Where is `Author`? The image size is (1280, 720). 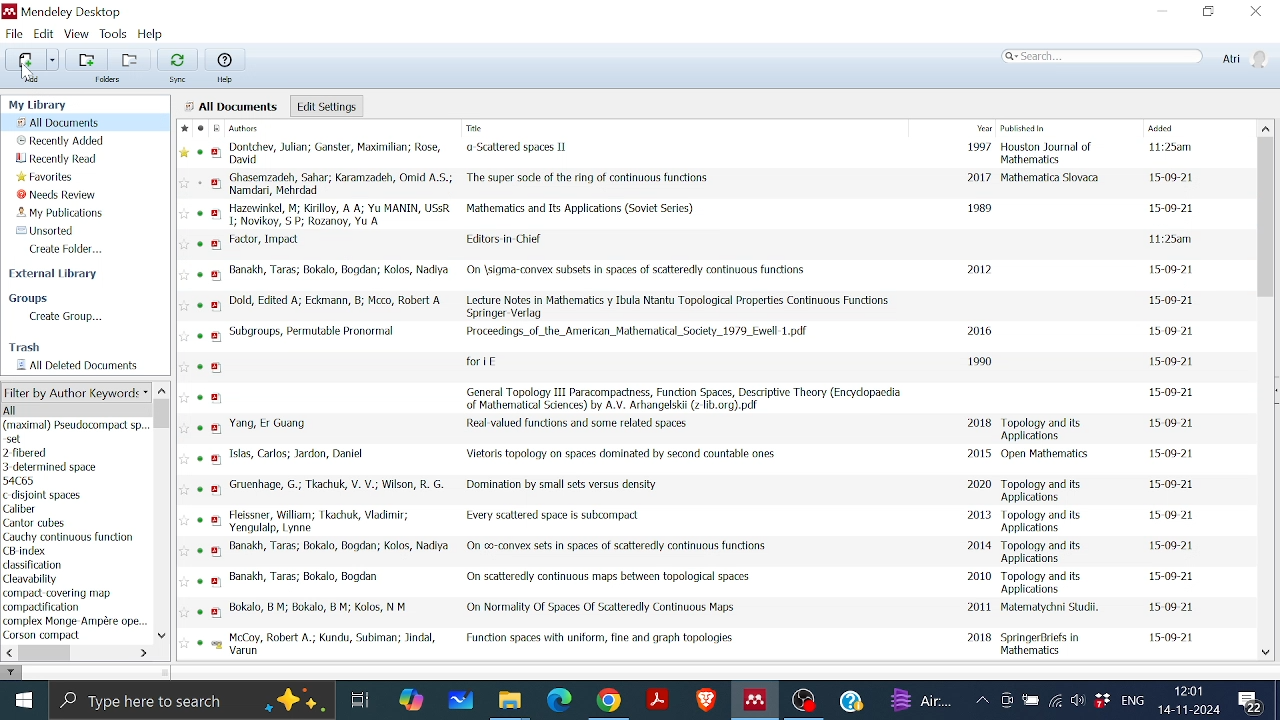
Author is located at coordinates (339, 301).